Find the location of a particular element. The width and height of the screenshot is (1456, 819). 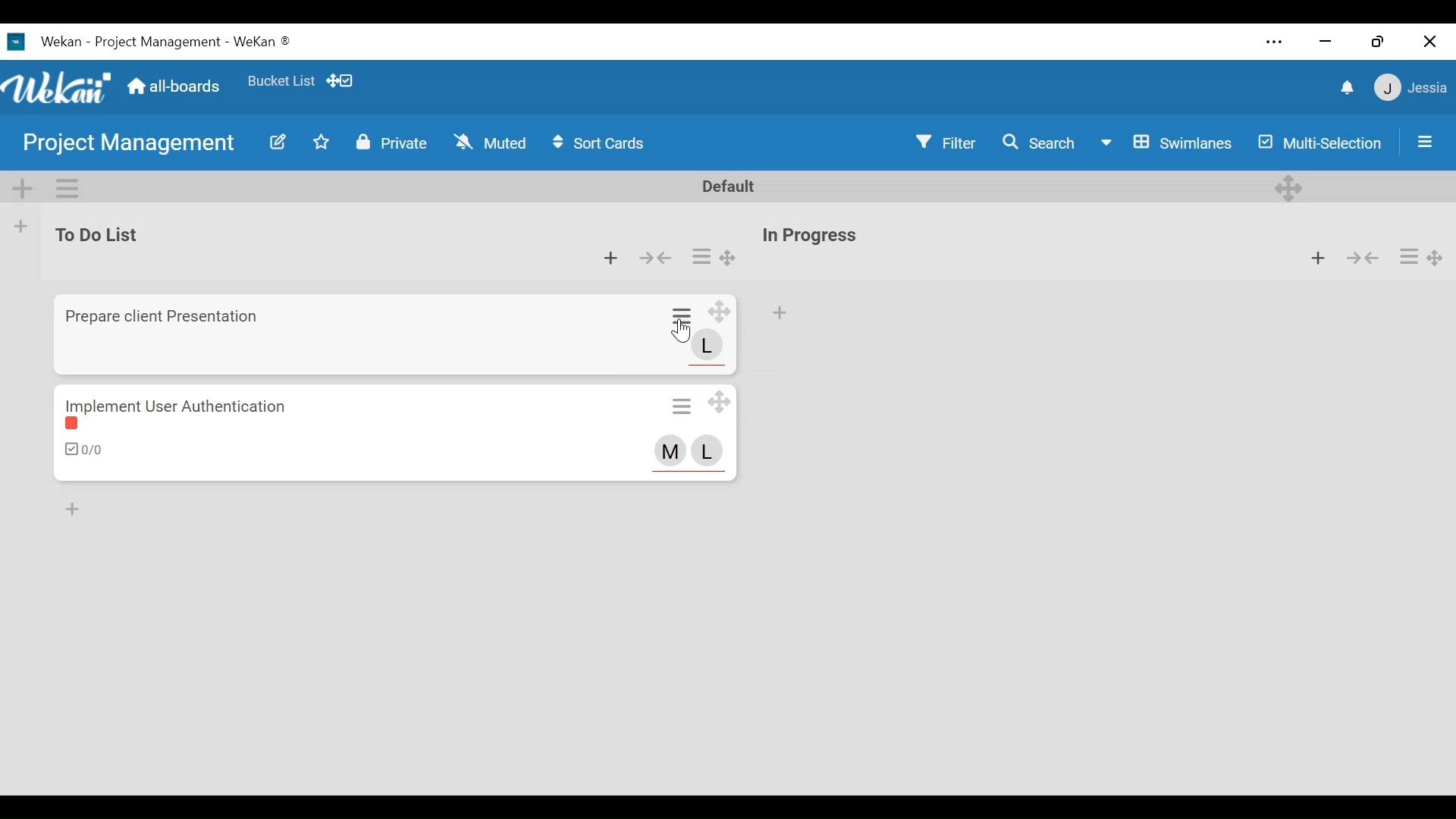

close is located at coordinates (1432, 42).